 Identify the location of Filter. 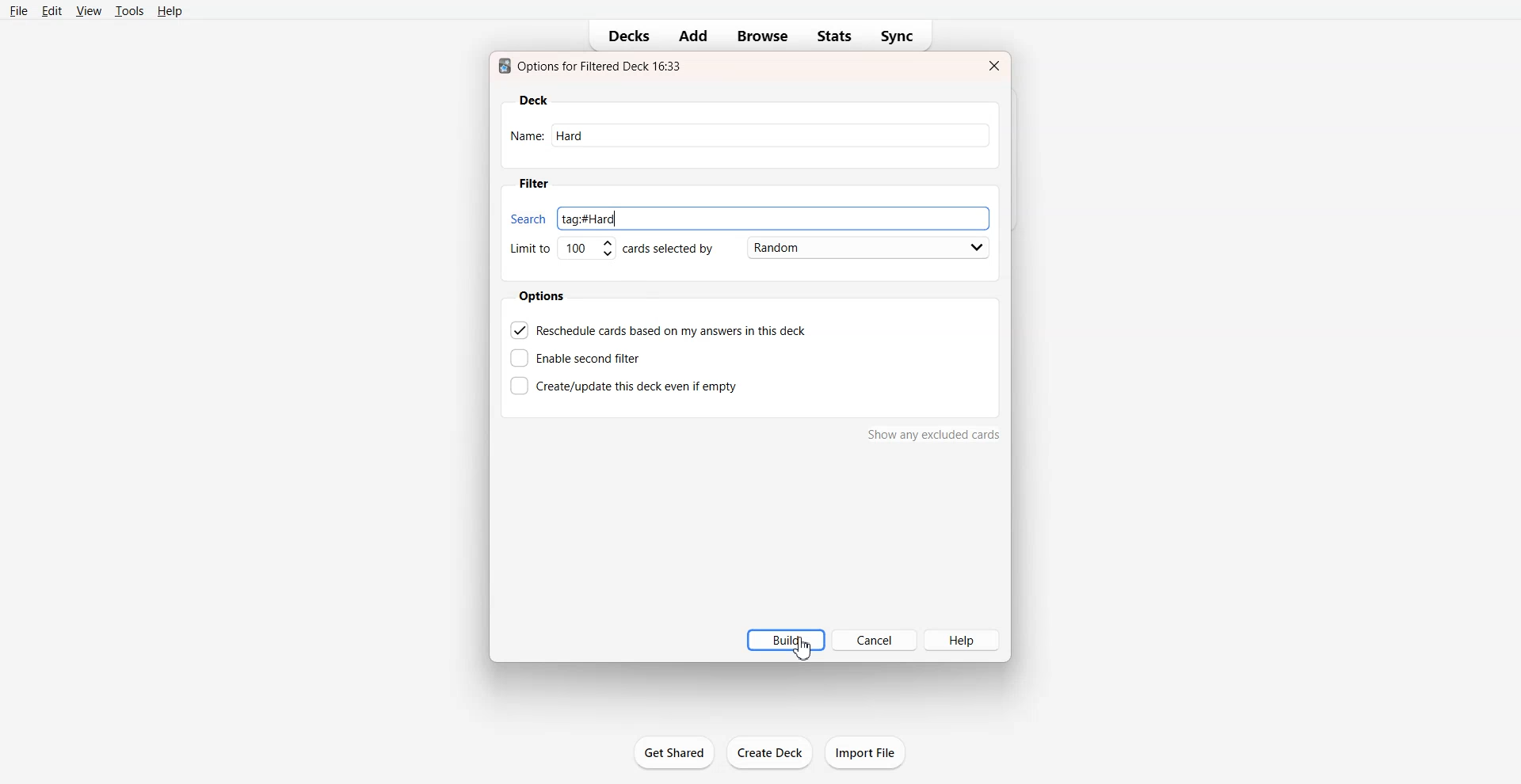
(533, 184).